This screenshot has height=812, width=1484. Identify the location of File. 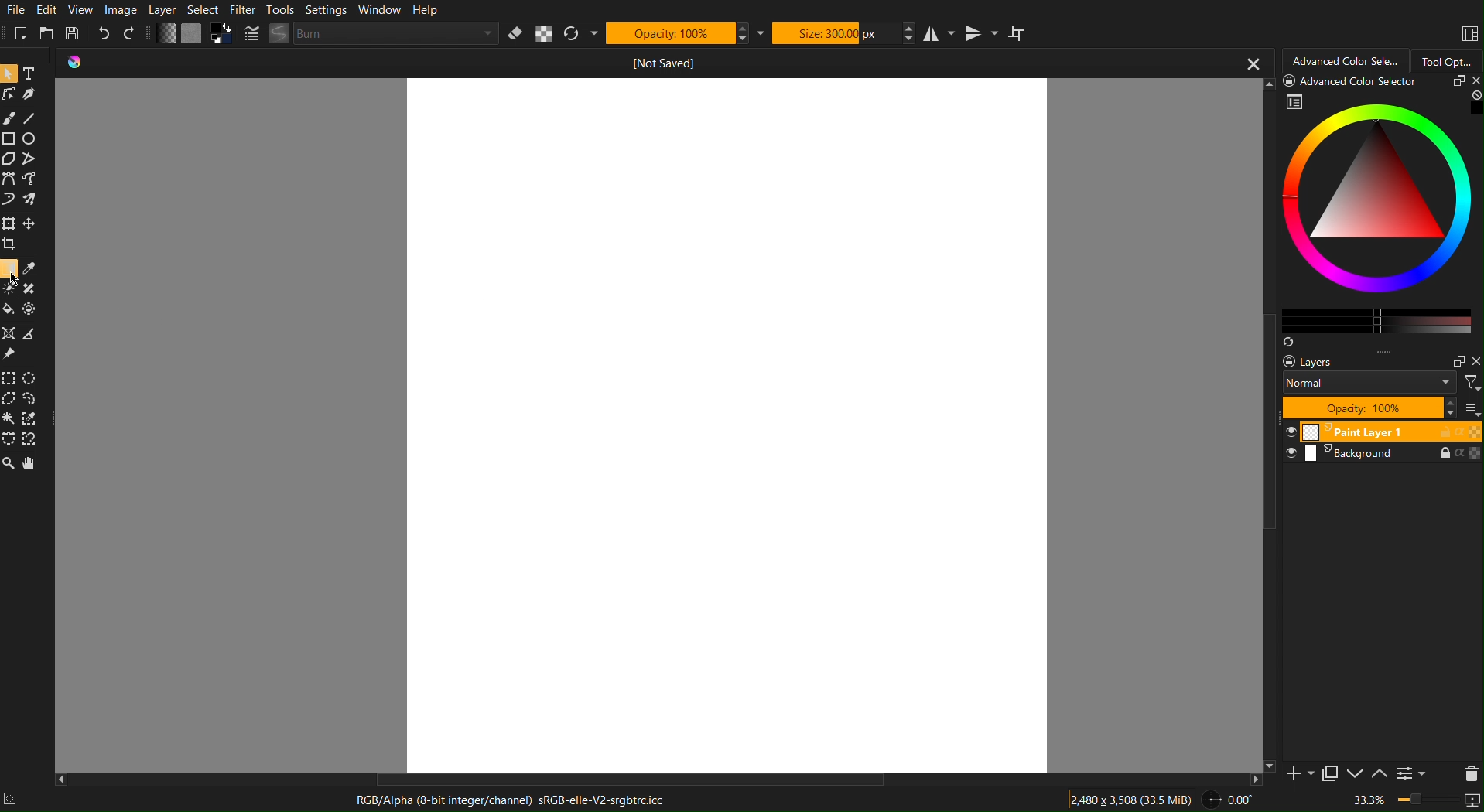
(15, 11).